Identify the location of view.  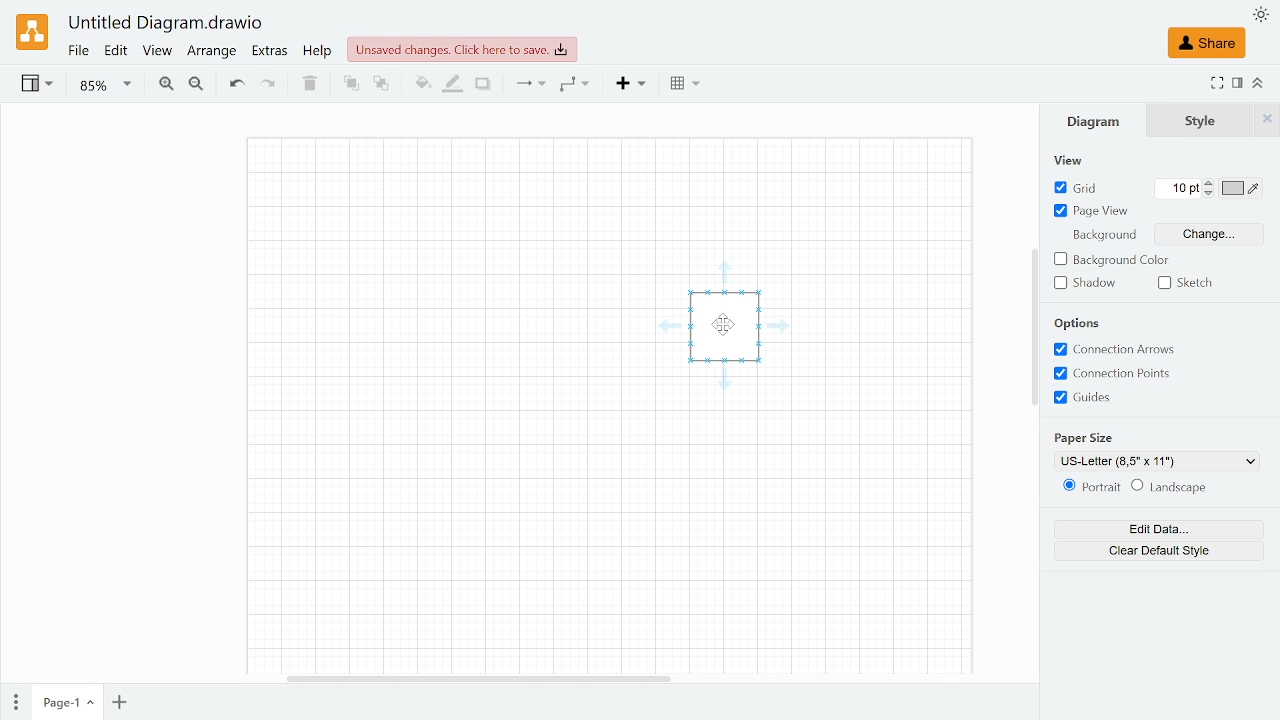
(1069, 160).